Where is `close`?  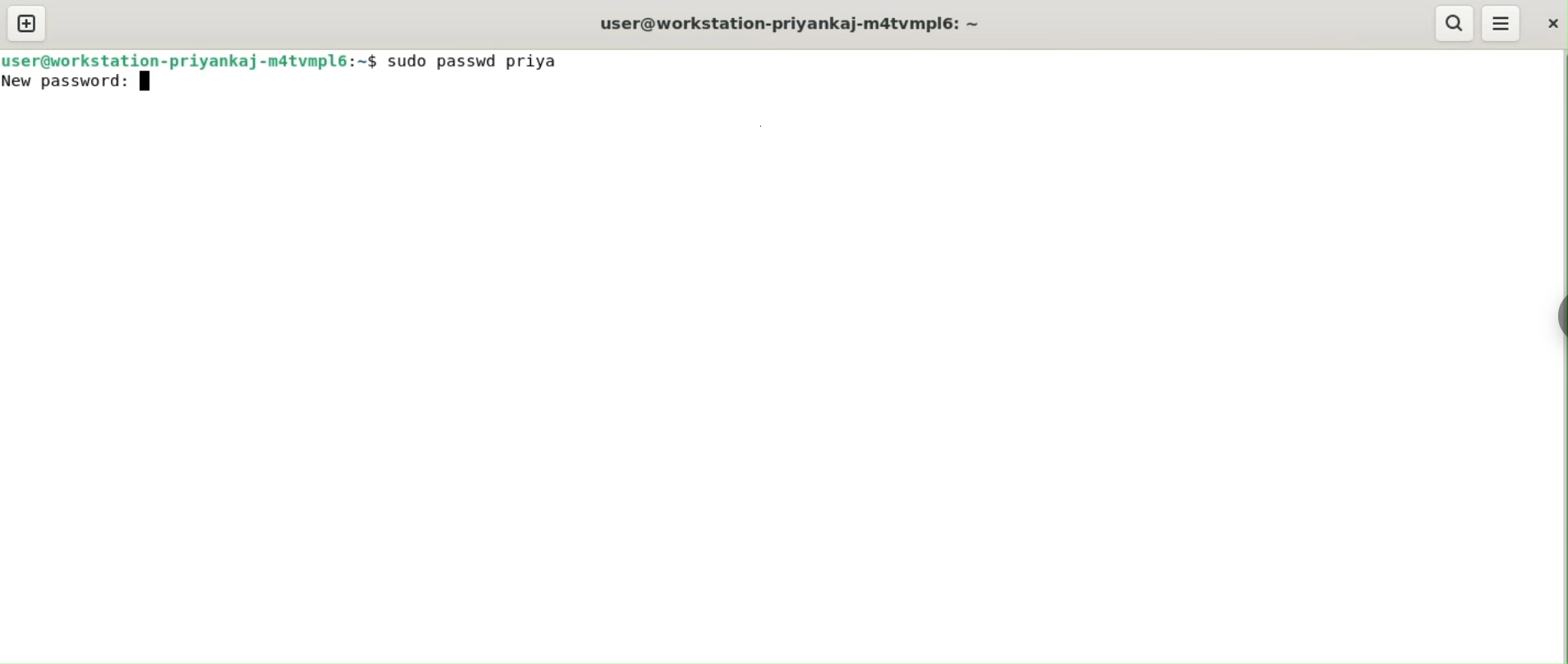
close is located at coordinates (1554, 24).